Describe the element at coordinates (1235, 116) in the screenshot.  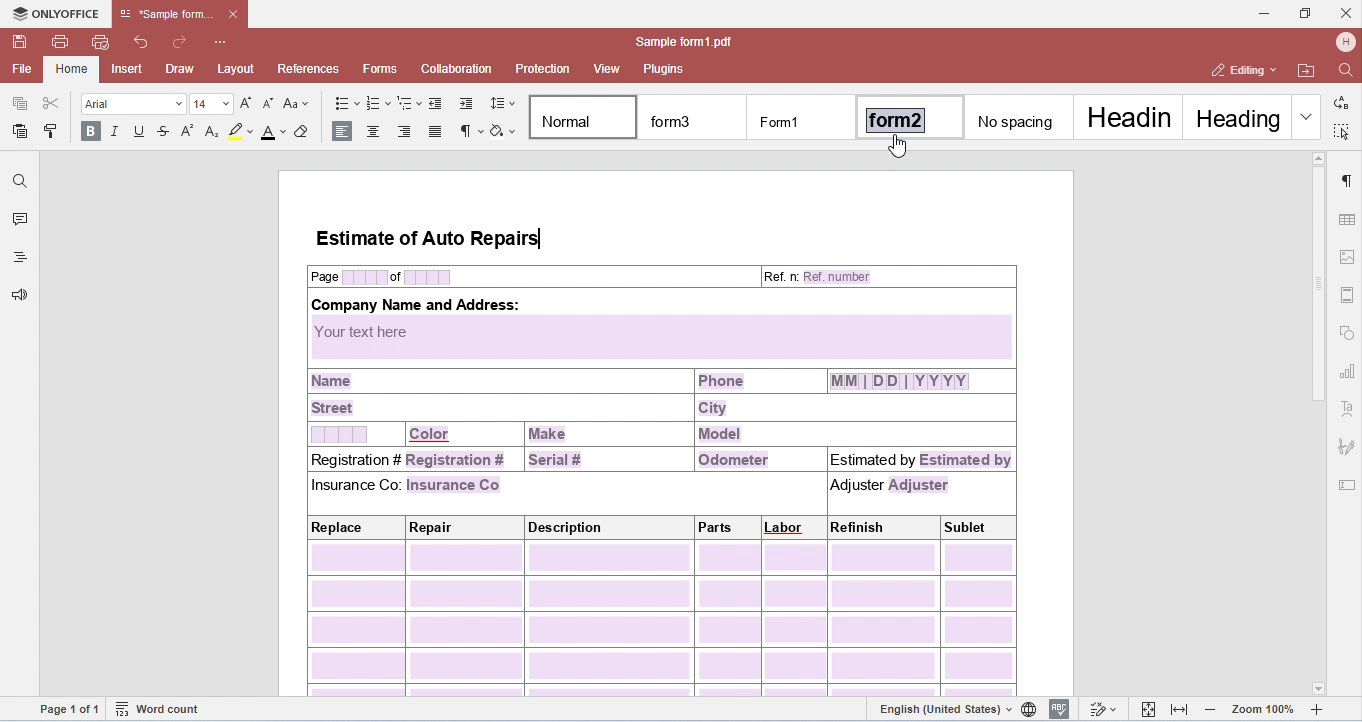
I see `heading` at that location.